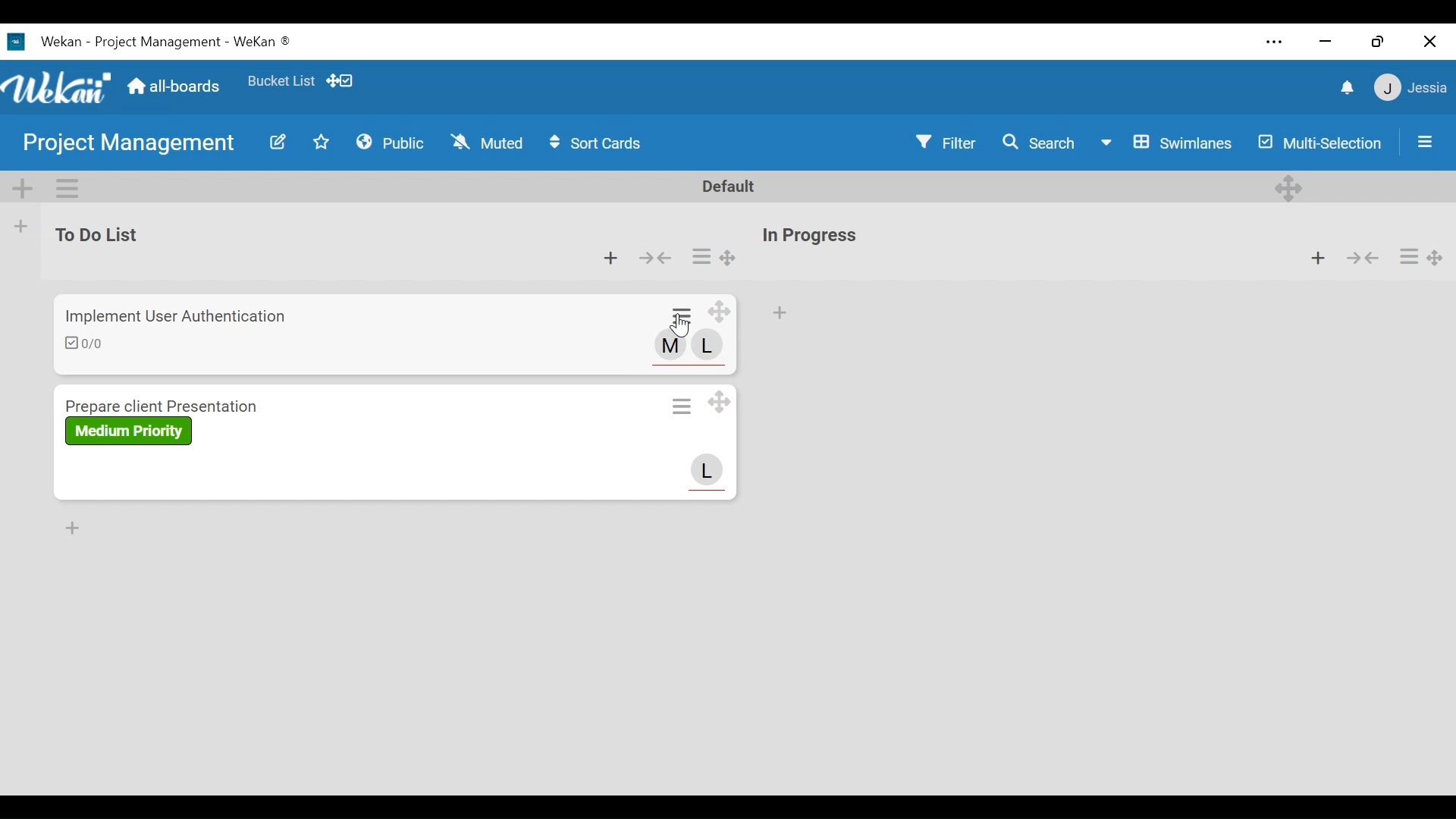  Describe the element at coordinates (342, 80) in the screenshot. I see `Show desktop drag handles` at that location.